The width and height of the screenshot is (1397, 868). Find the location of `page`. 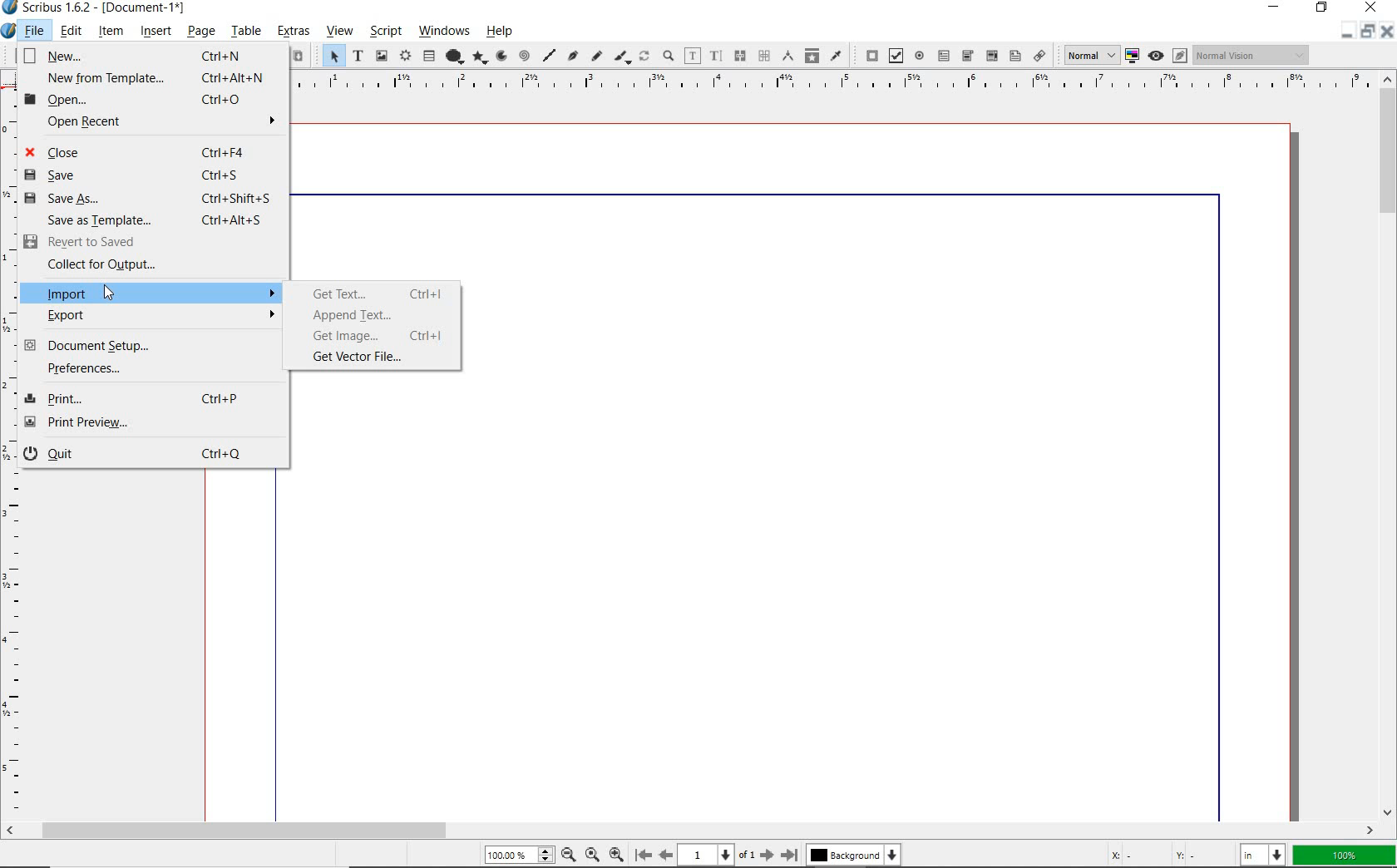

page is located at coordinates (200, 32).